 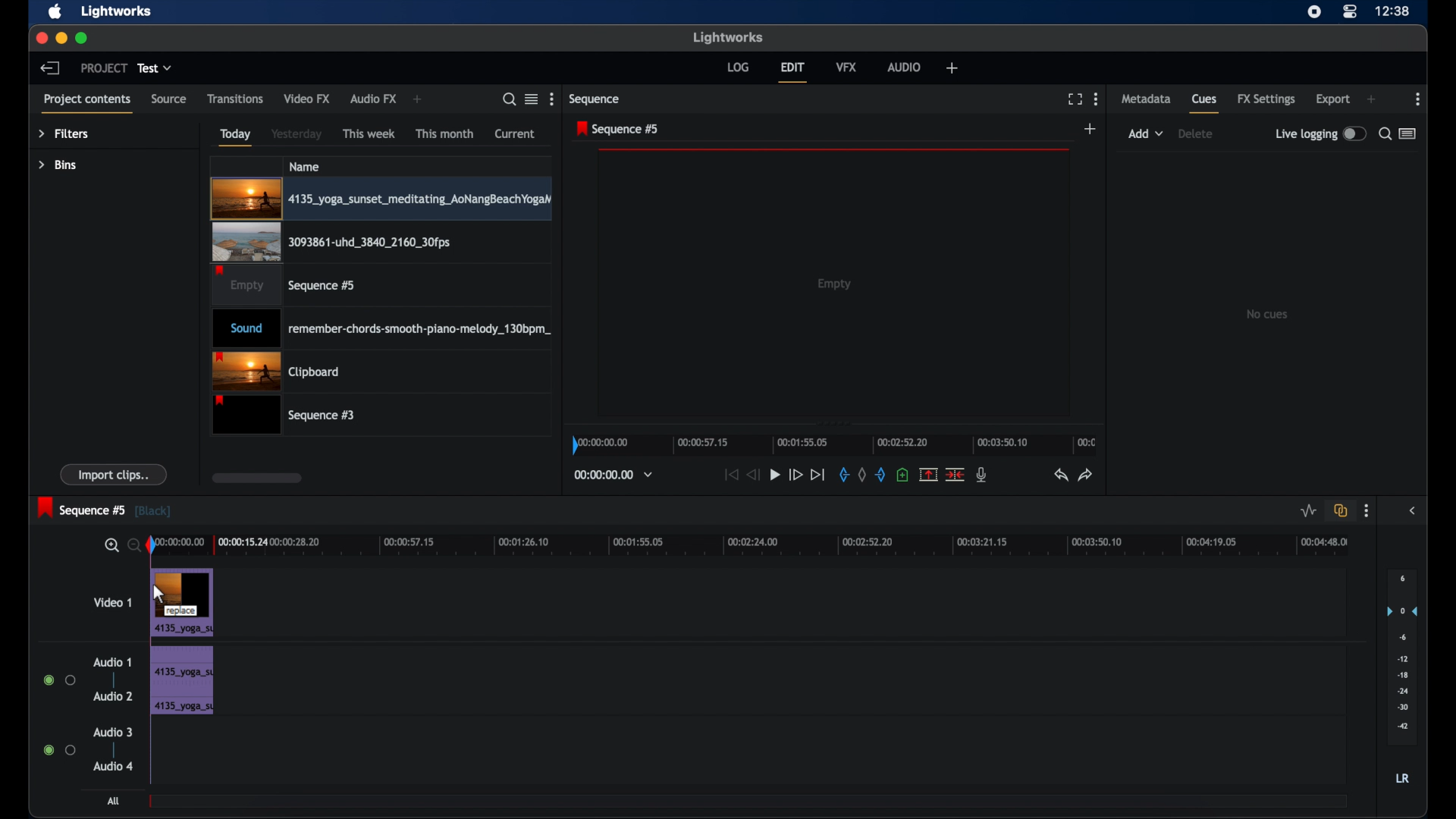 I want to click on add, so click(x=418, y=99).